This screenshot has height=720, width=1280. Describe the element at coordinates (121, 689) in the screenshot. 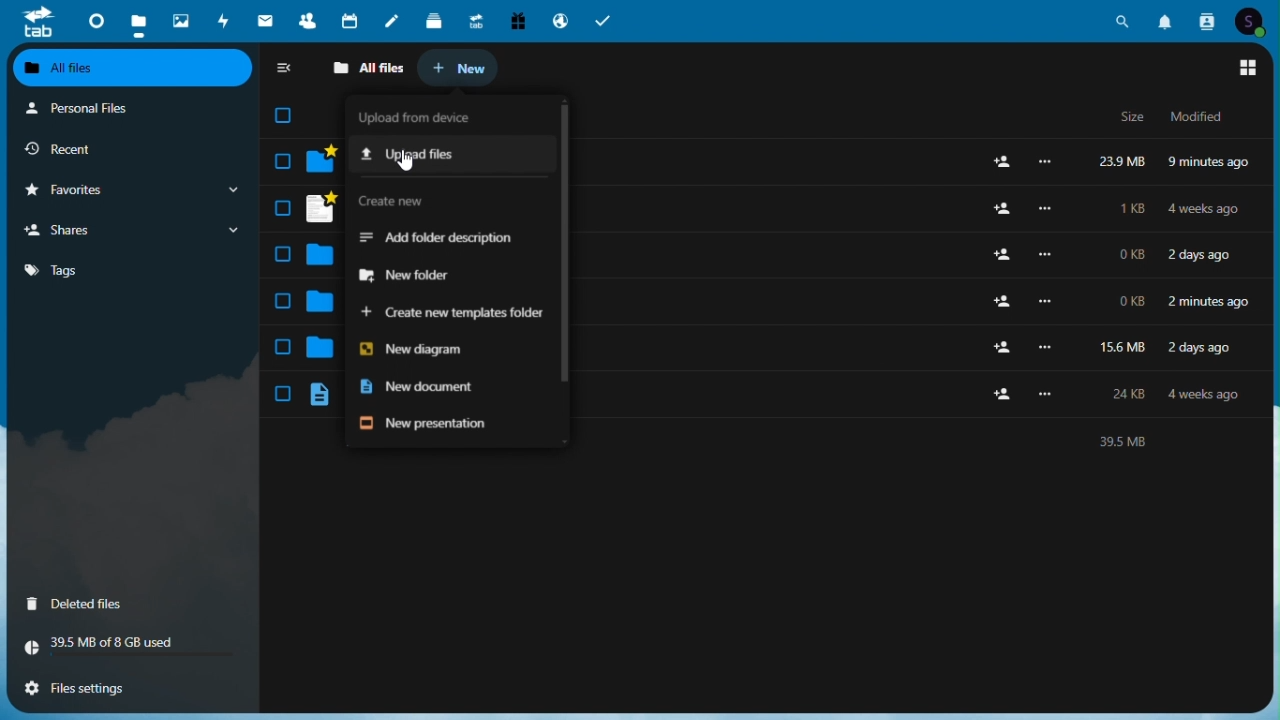

I see `File settings` at that location.